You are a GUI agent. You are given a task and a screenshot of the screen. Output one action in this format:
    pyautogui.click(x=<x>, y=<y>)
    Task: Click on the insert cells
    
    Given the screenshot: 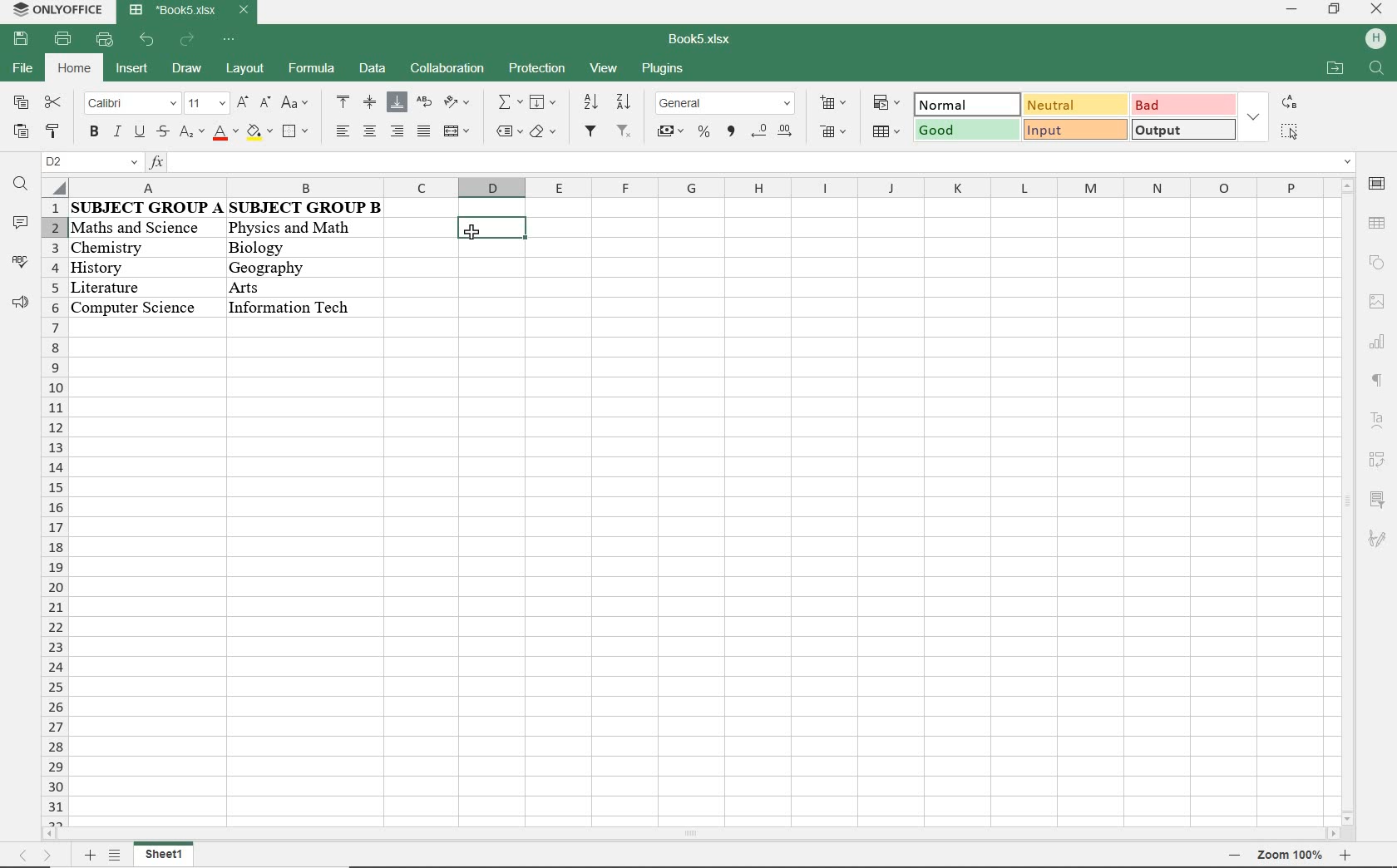 What is the action you would take?
    pyautogui.click(x=832, y=104)
    